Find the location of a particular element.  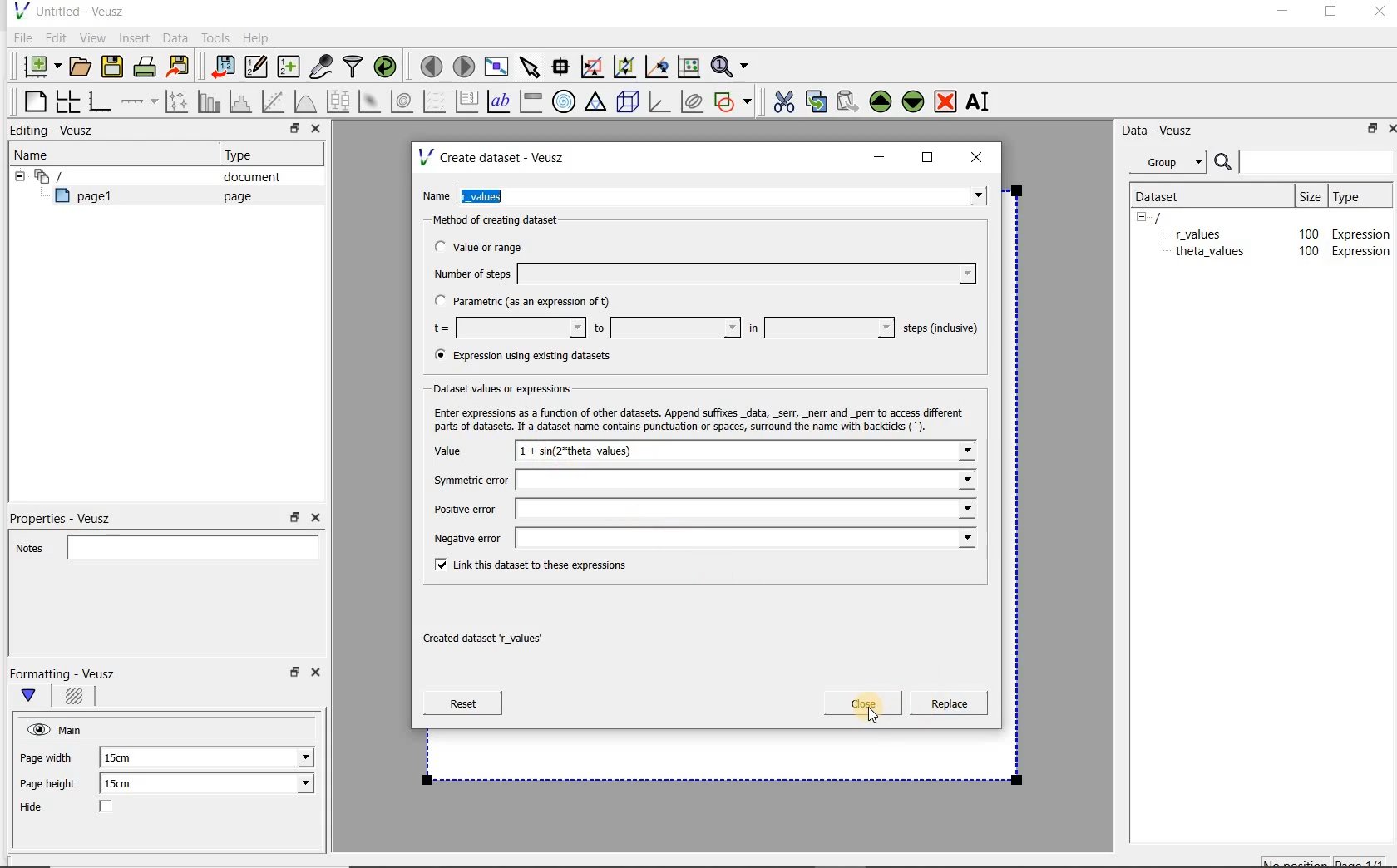

plot a 2d dataset as an image is located at coordinates (372, 102).